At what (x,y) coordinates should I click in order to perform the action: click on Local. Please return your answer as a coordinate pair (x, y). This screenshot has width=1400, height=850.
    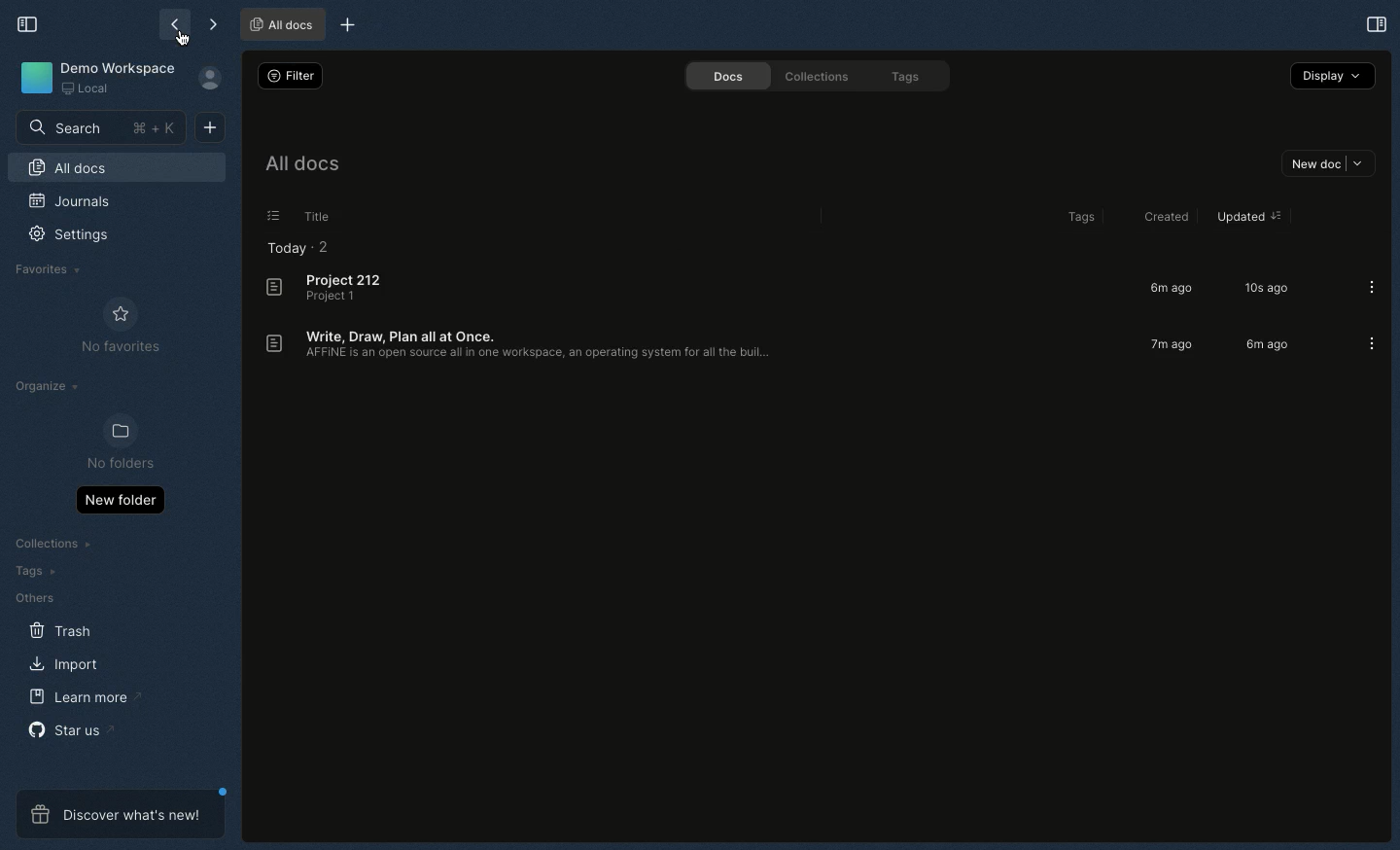
    Looking at the image, I should click on (88, 89).